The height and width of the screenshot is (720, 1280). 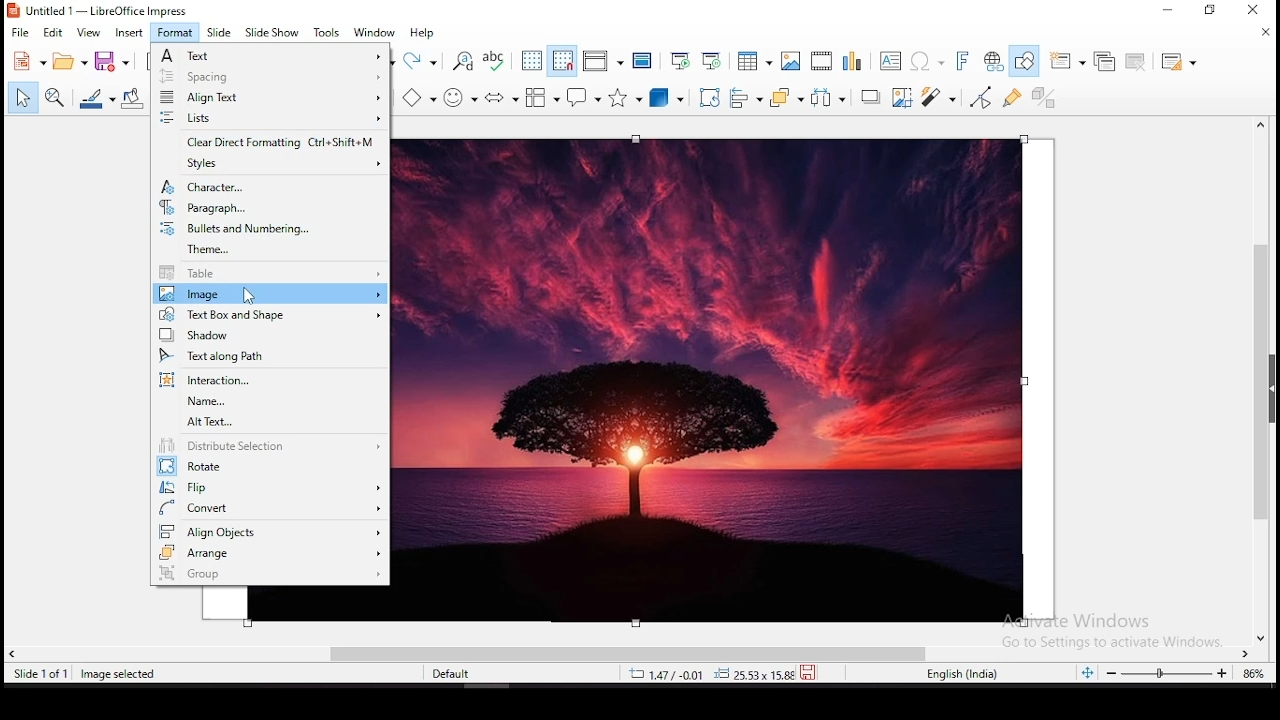 What do you see at coordinates (531, 61) in the screenshot?
I see `display grid` at bounding box center [531, 61].